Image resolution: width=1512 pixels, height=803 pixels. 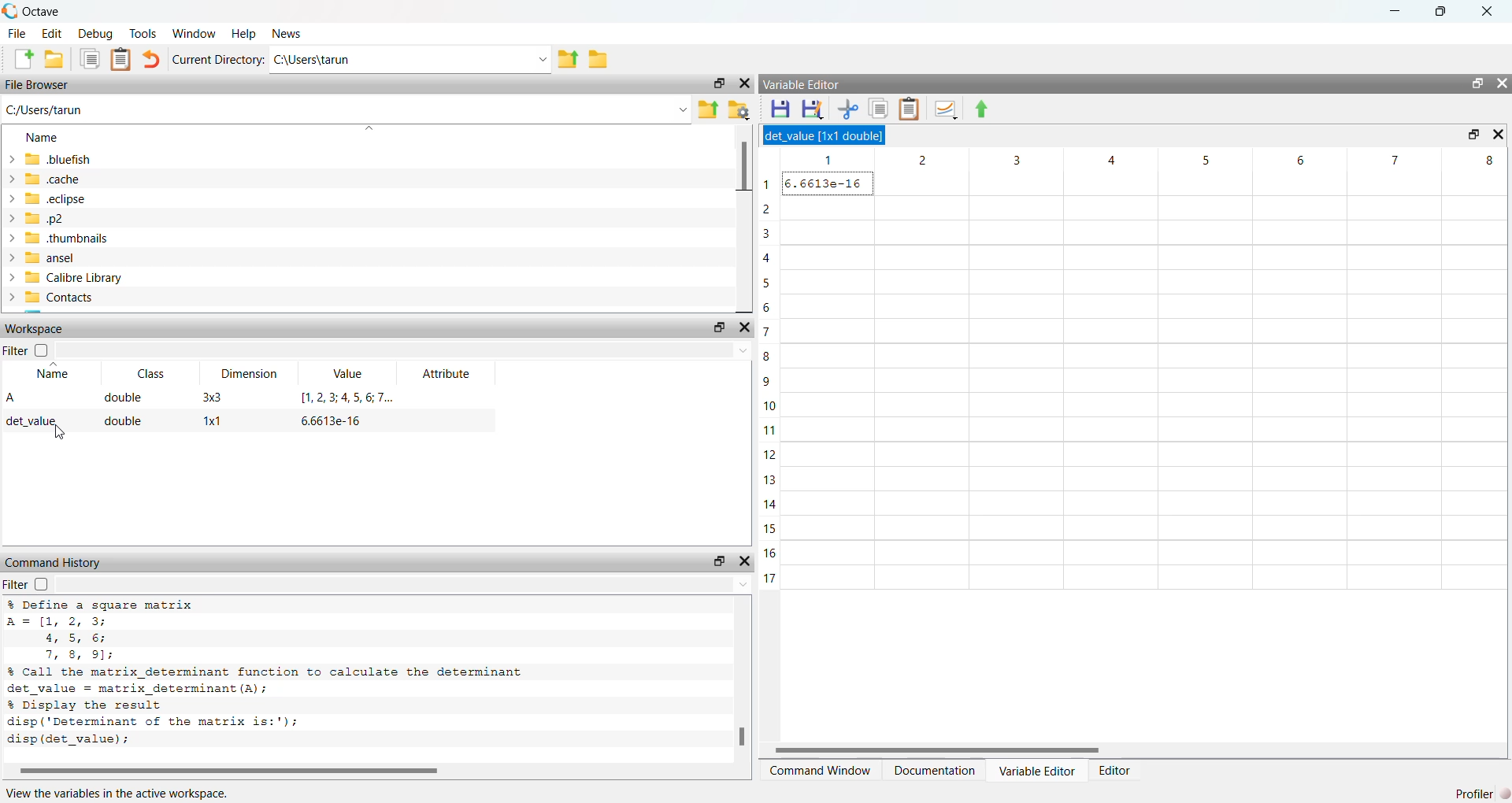 What do you see at coordinates (91, 60) in the screenshot?
I see `copy` at bounding box center [91, 60].